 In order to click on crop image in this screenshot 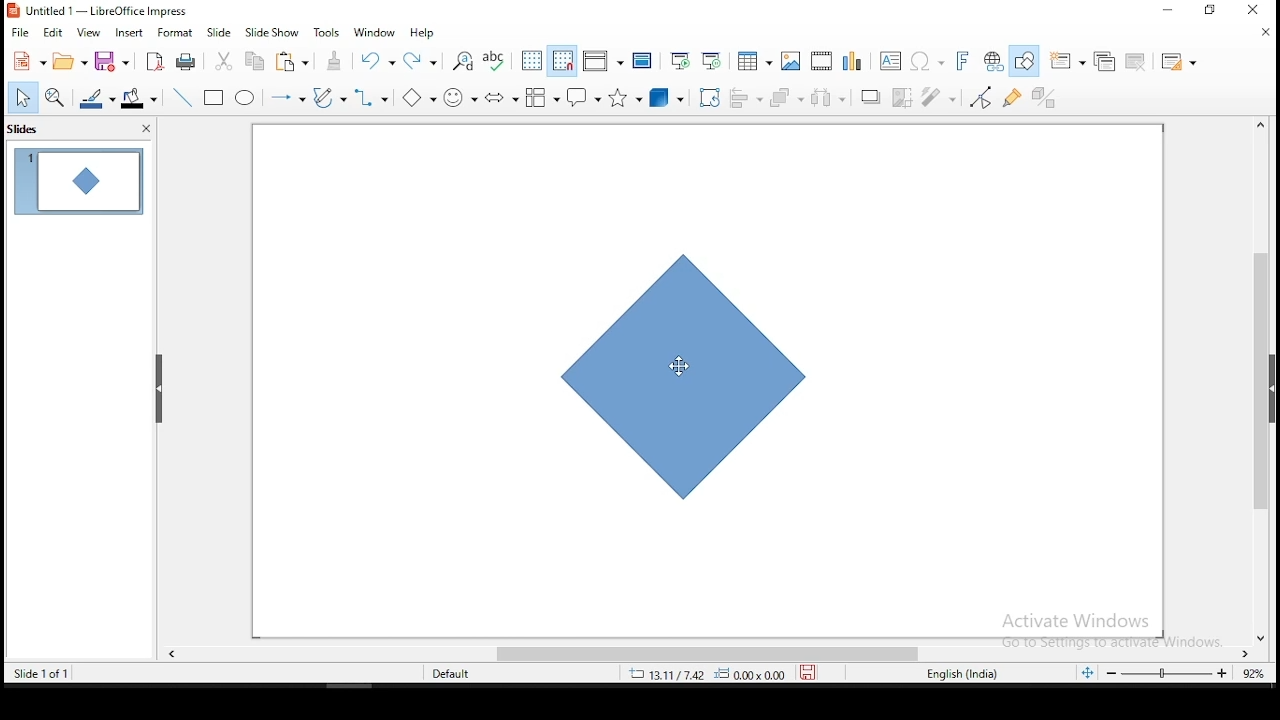, I will do `click(905, 100)`.